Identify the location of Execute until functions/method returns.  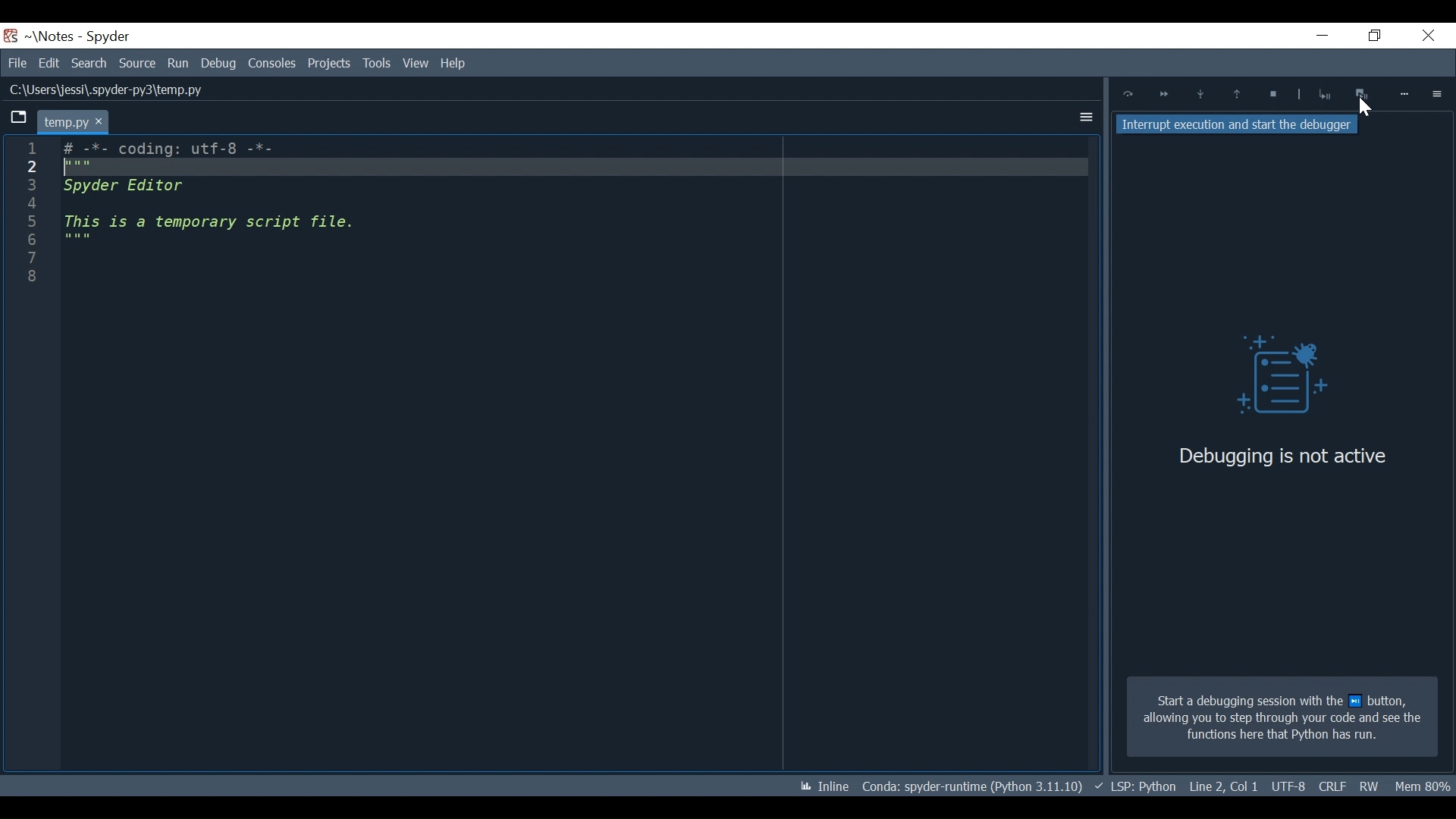
(1238, 96).